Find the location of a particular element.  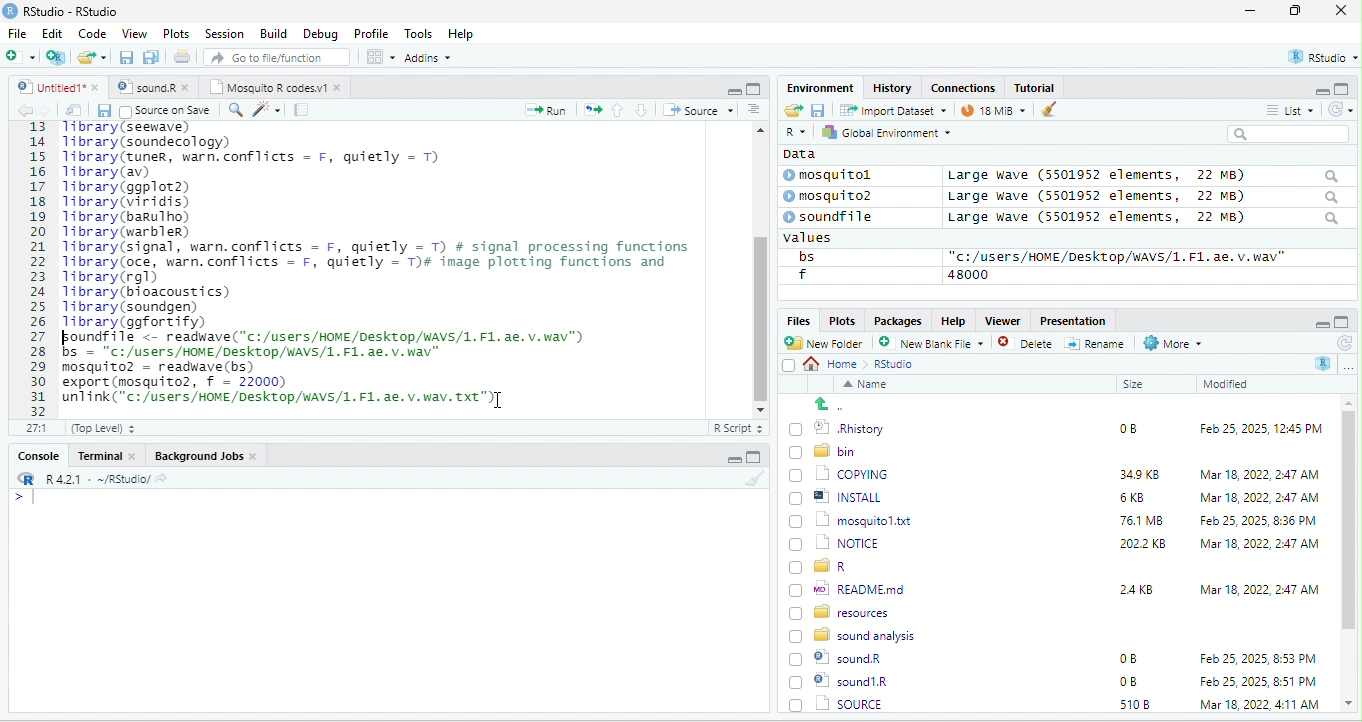

minimize is located at coordinates (1250, 12).